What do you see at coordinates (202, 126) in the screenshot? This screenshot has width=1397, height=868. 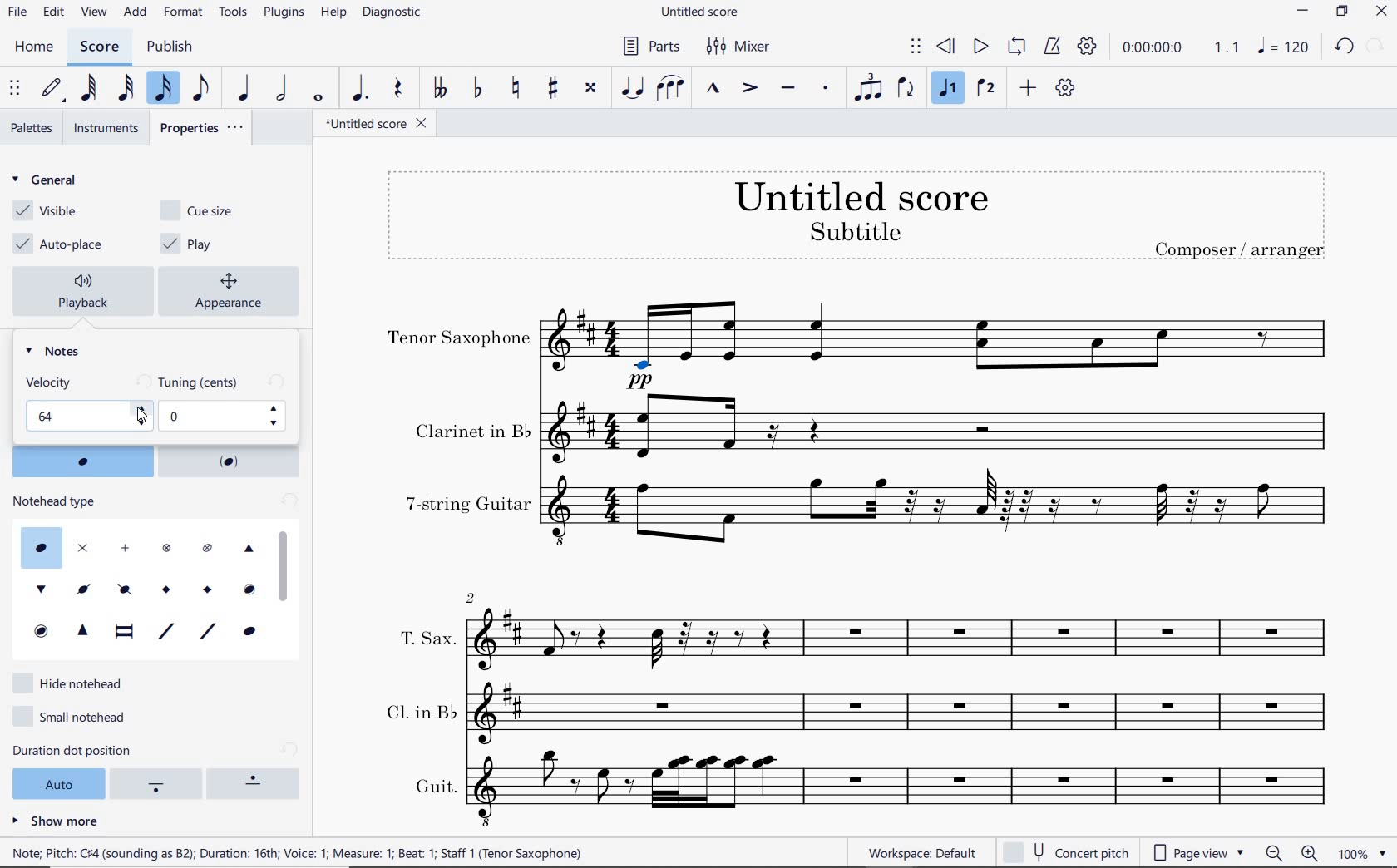 I see `properties` at bounding box center [202, 126].